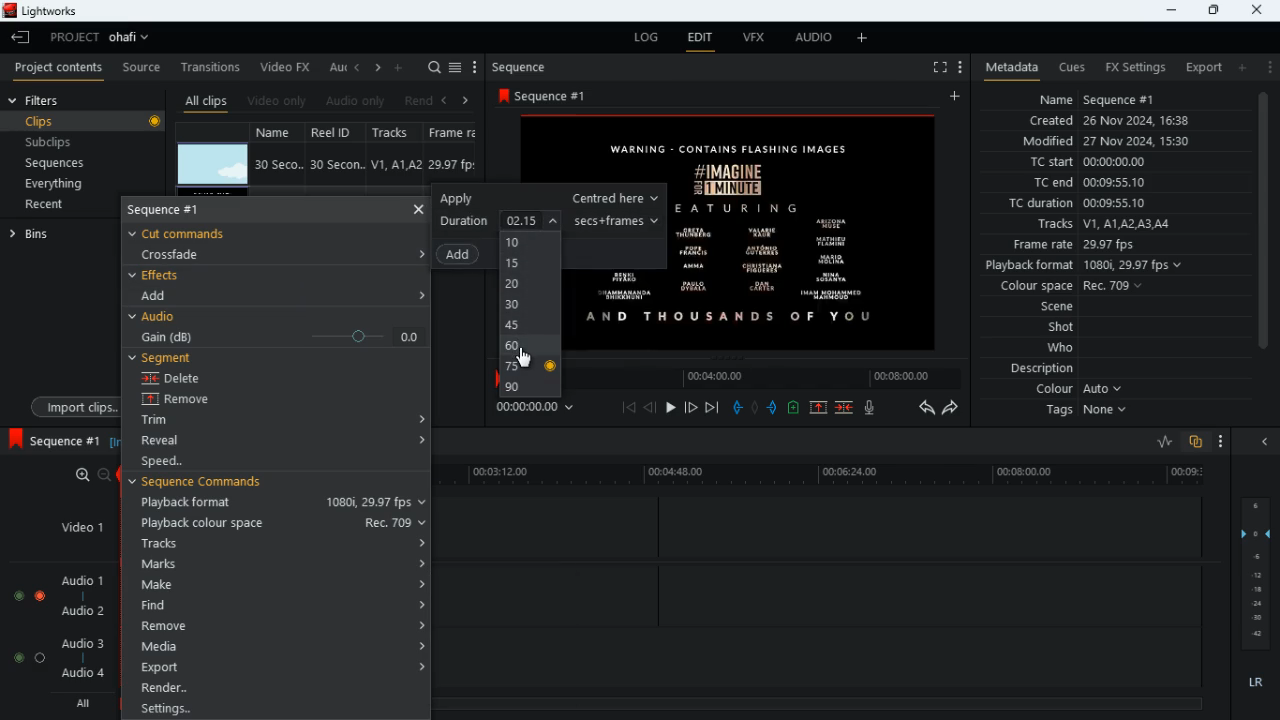  What do you see at coordinates (286, 68) in the screenshot?
I see `video fx` at bounding box center [286, 68].